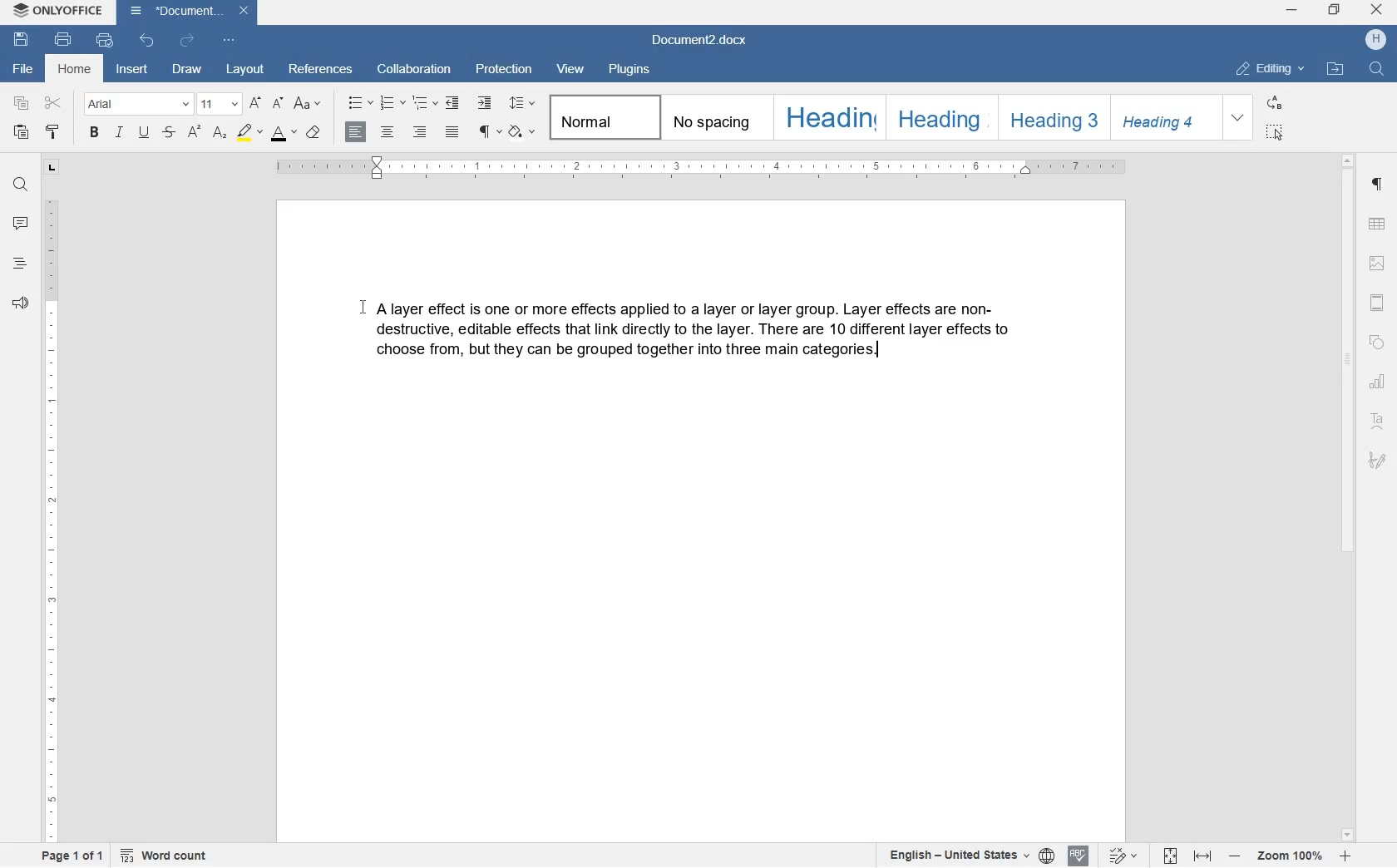 The width and height of the screenshot is (1397, 868). I want to click on signature, so click(1377, 460).